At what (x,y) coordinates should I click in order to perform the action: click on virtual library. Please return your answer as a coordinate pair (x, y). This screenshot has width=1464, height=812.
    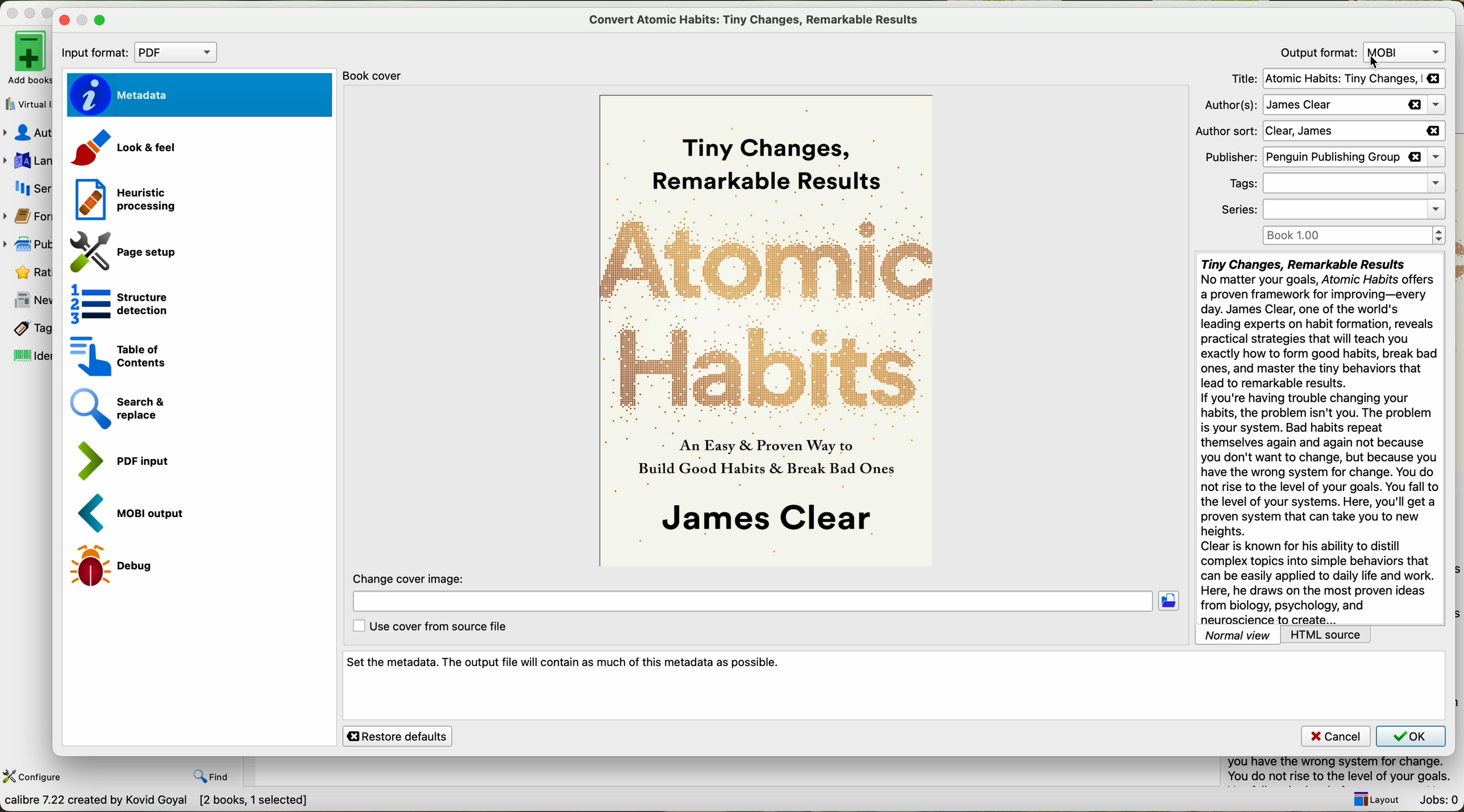
    Looking at the image, I should click on (26, 105).